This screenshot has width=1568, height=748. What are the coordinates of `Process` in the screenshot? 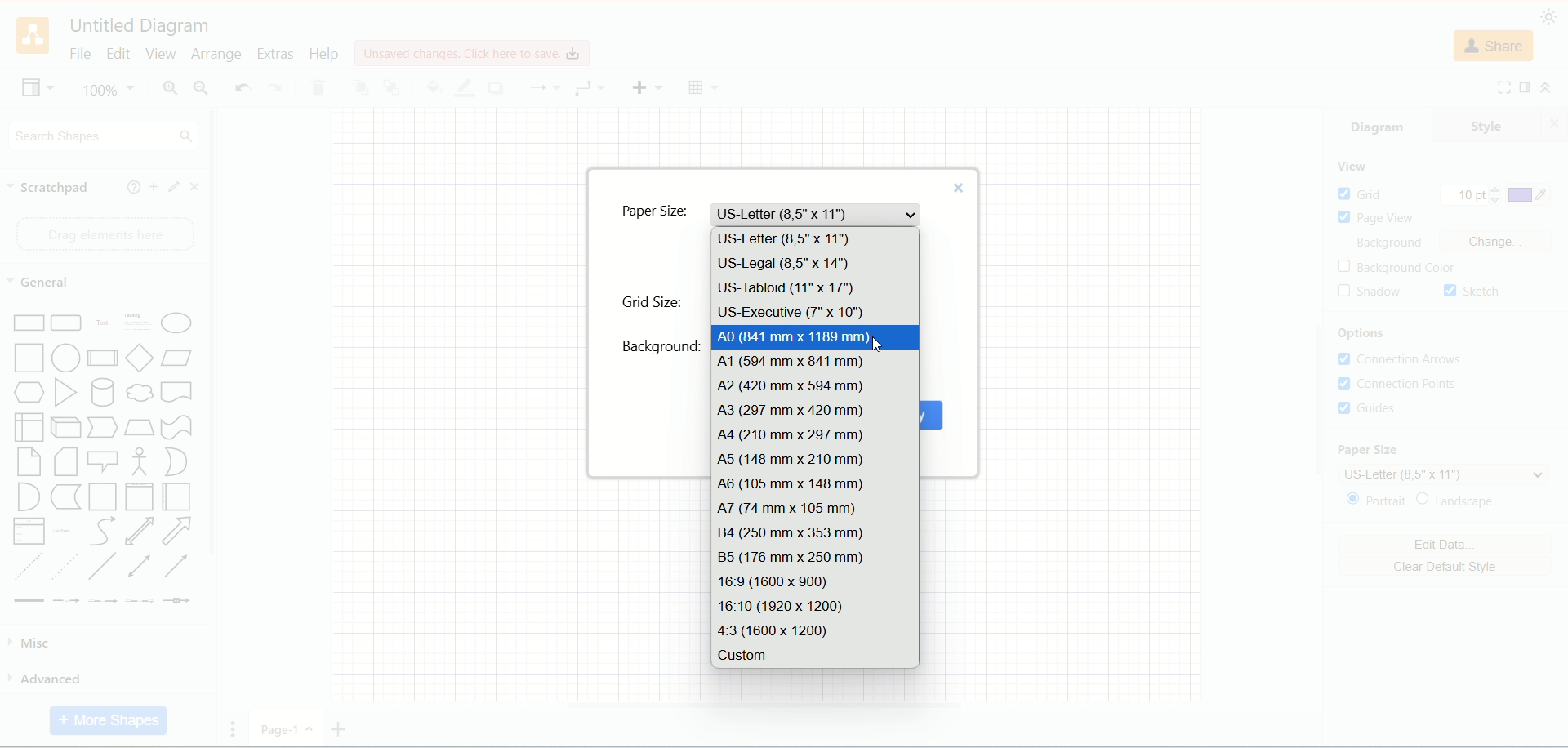 It's located at (104, 361).